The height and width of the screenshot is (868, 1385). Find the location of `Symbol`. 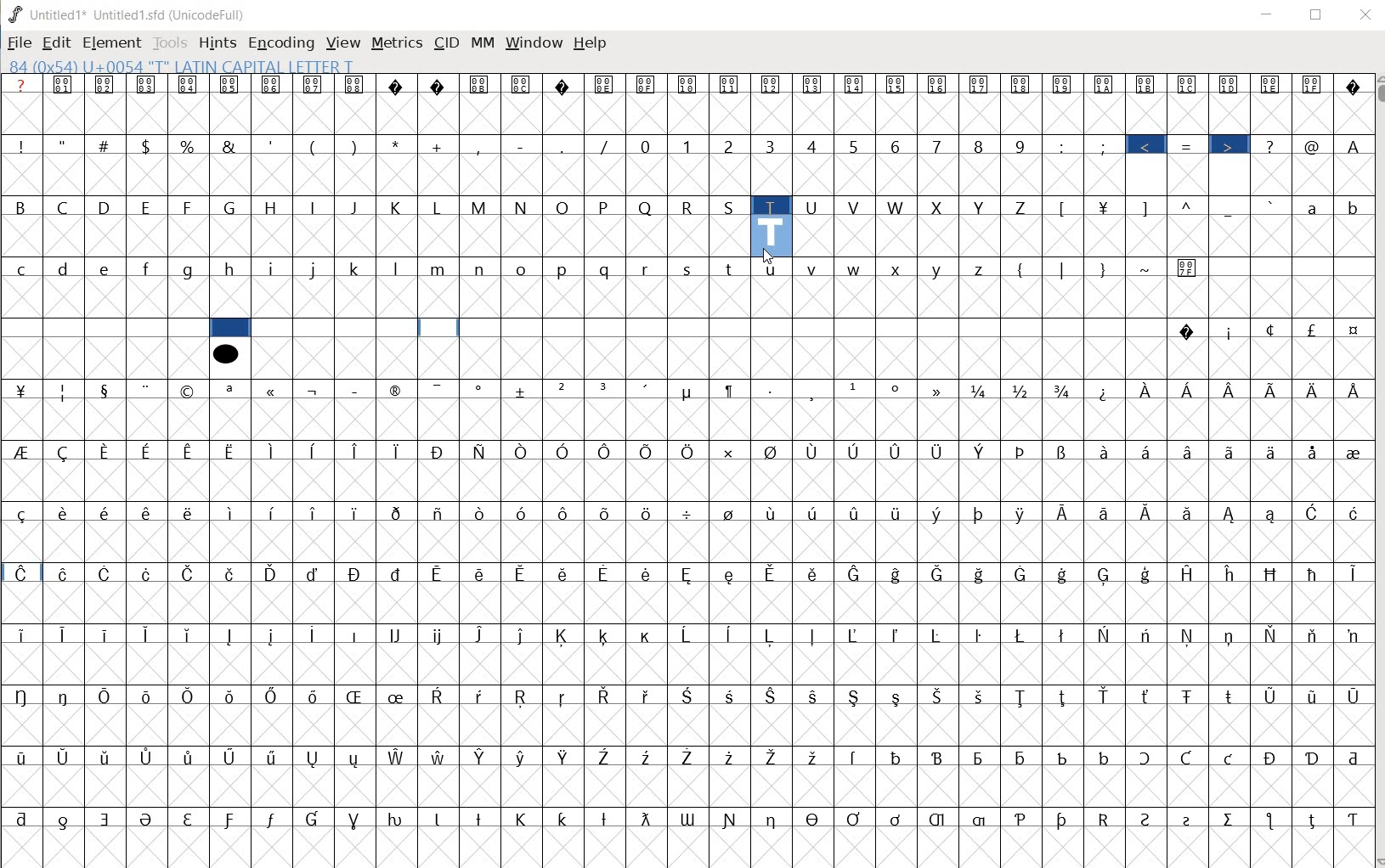

Symbol is located at coordinates (22, 636).